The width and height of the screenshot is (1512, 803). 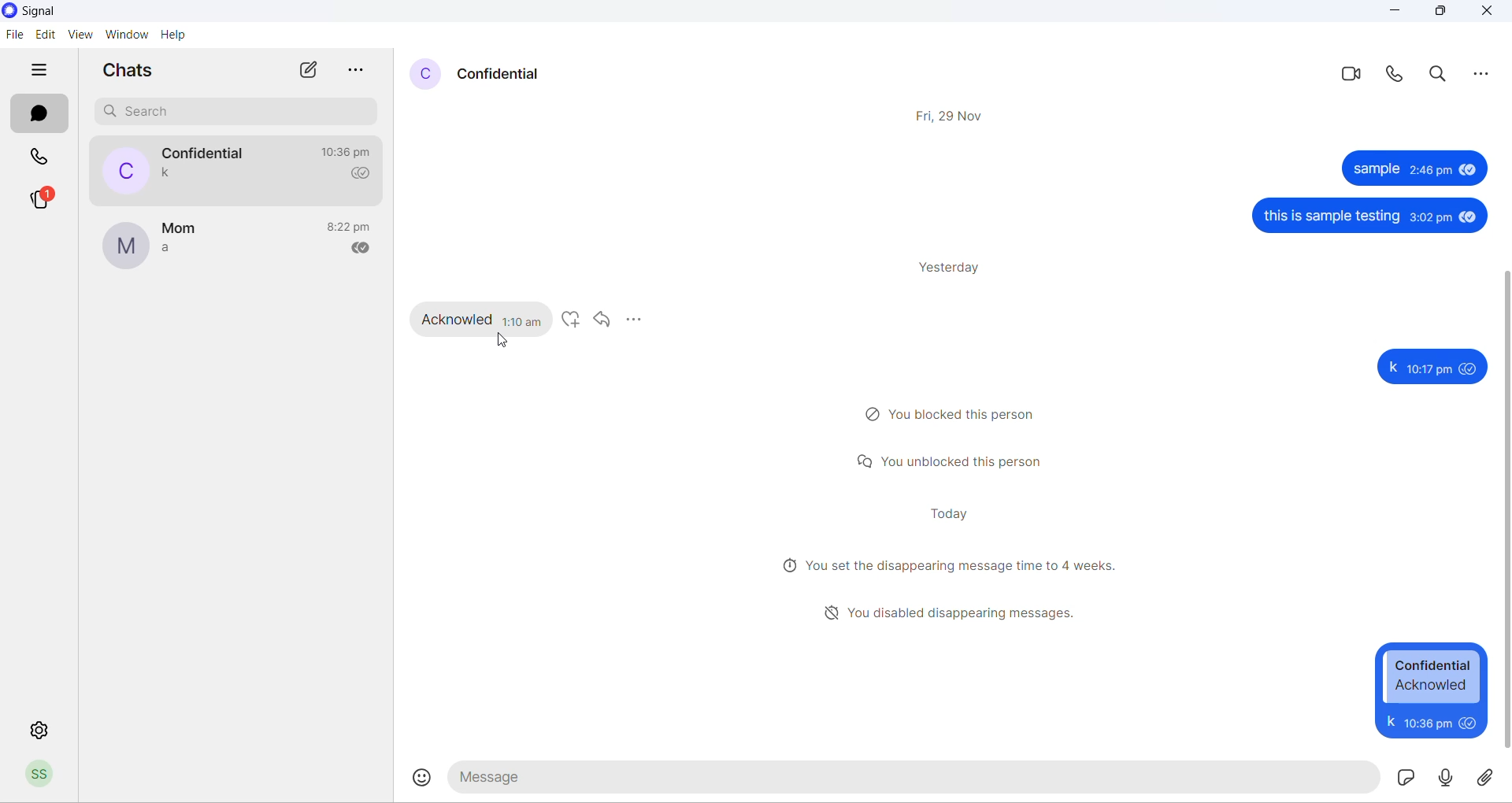 What do you see at coordinates (1438, 11) in the screenshot?
I see `maximize` at bounding box center [1438, 11].